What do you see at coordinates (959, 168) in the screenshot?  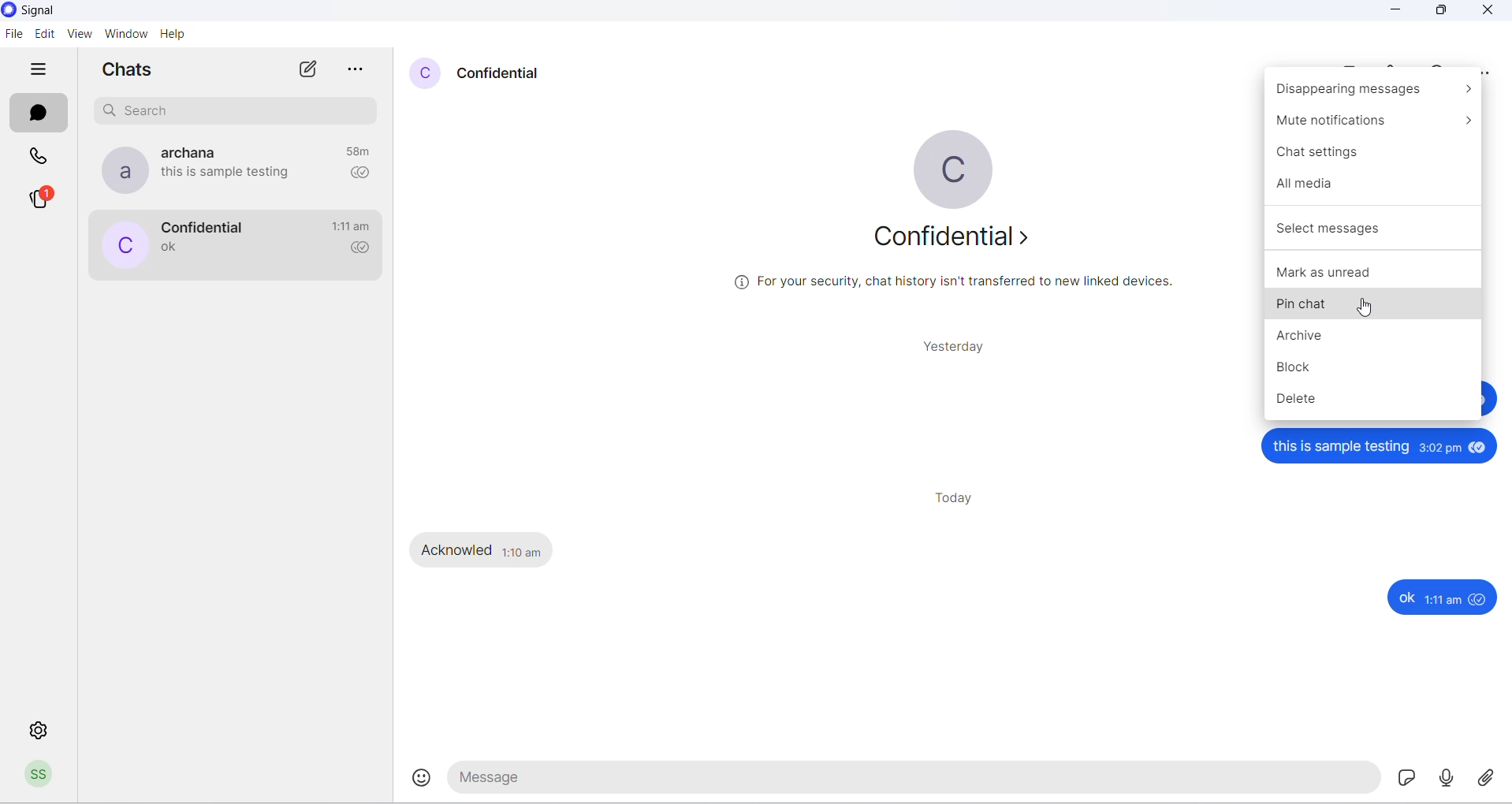 I see `profile picture` at bounding box center [959, 168].